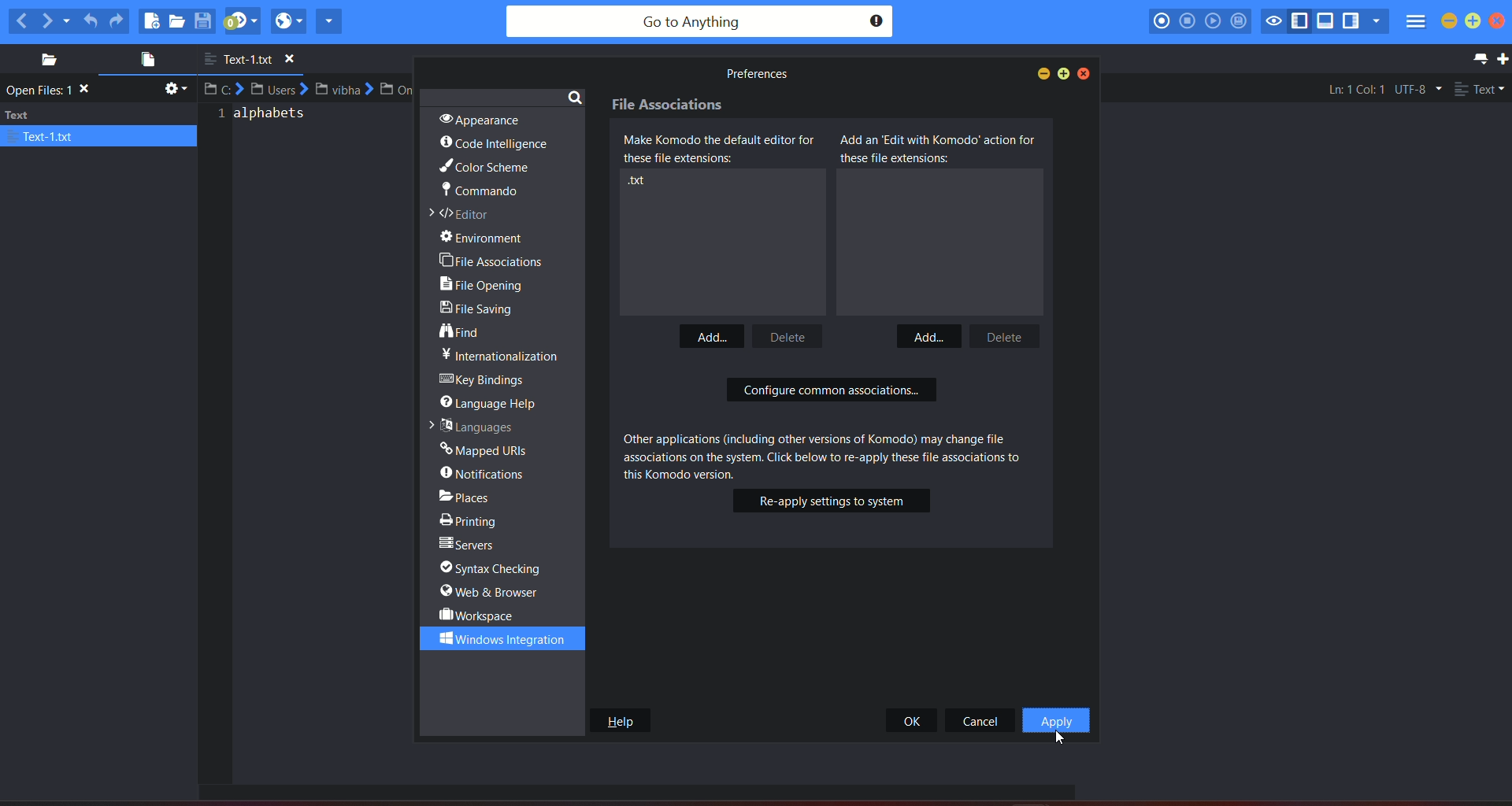 The image size is (1512, 806). What do you see at coordinates (1450, 21) in the screenshot?
I see `minimize` at bounding box center [1450, 21].